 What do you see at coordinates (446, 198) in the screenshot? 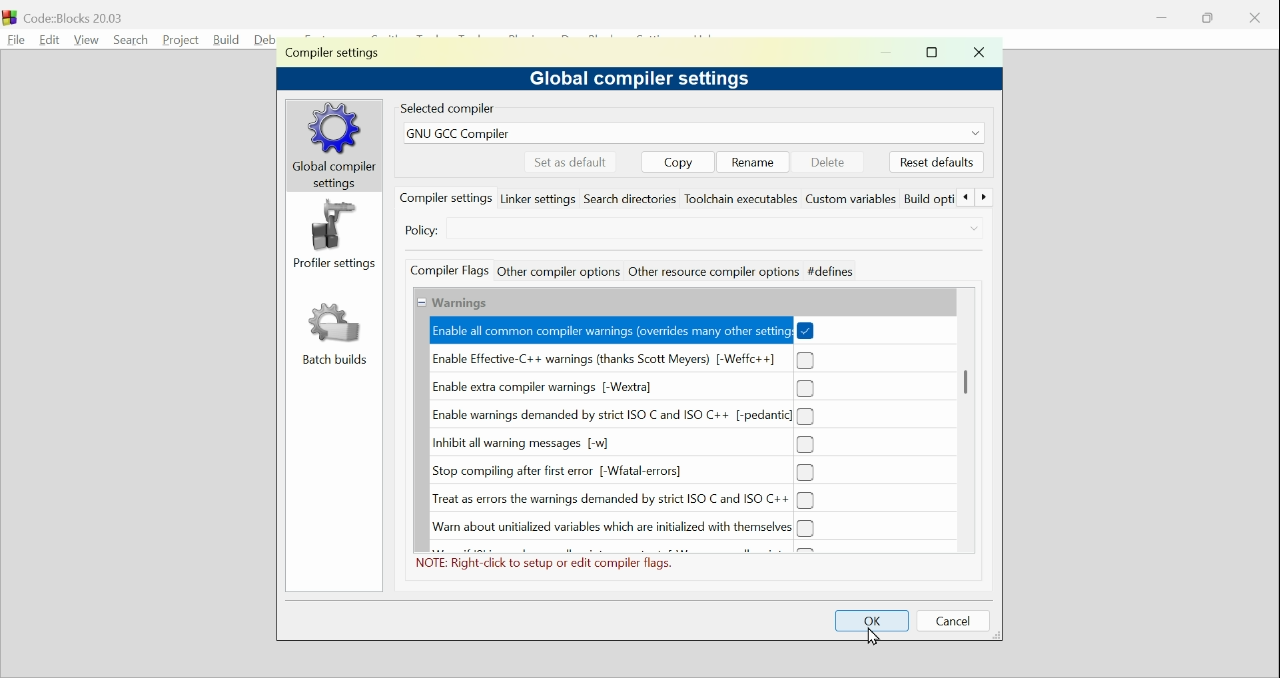
I see `compiler settings ` at bounding box center [446, 198].